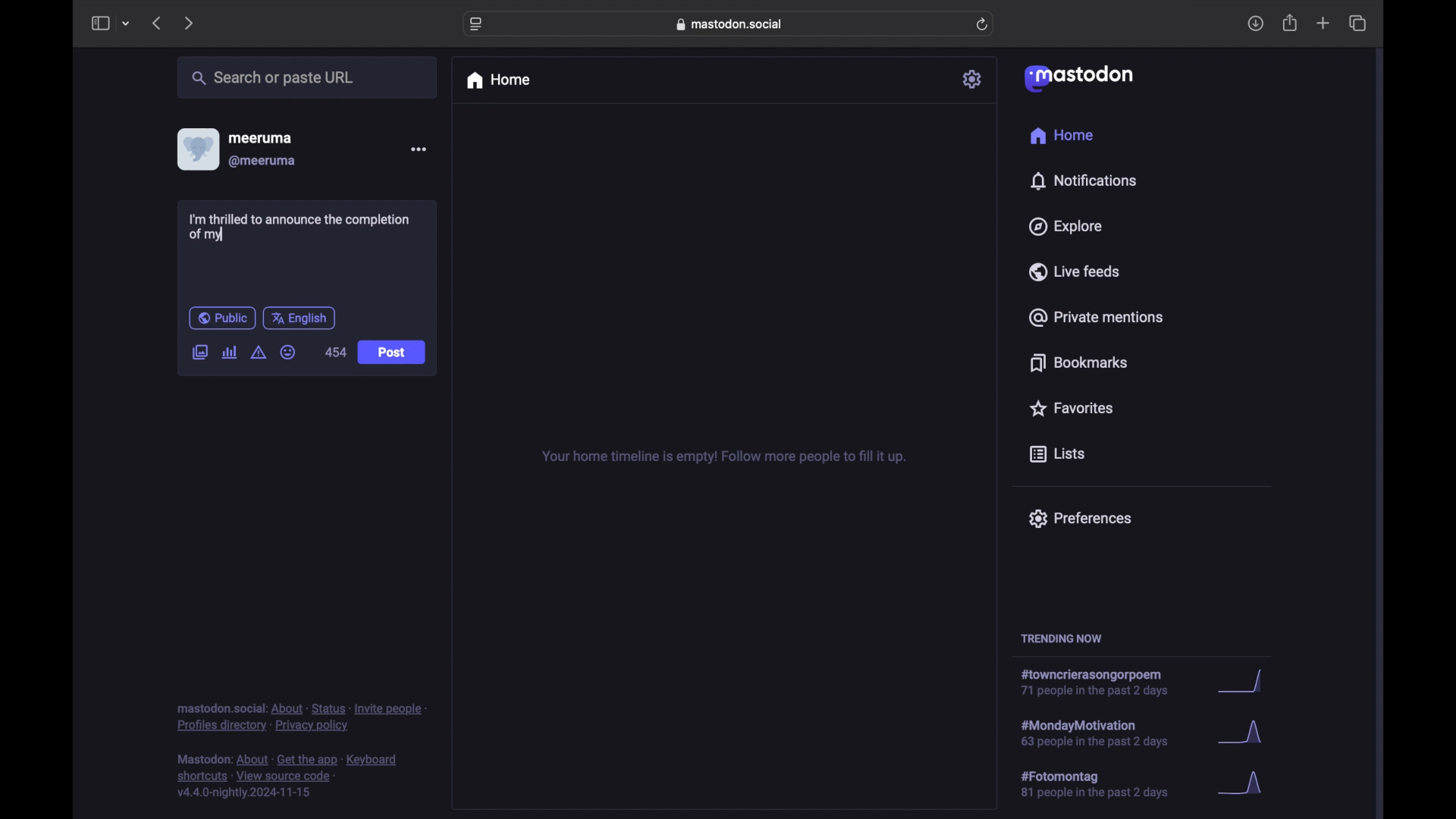 This screenshot has height=819, width=1456. Describe the element at coordinates (260, 353) in the screenshot. I see `add content warning` at that location.